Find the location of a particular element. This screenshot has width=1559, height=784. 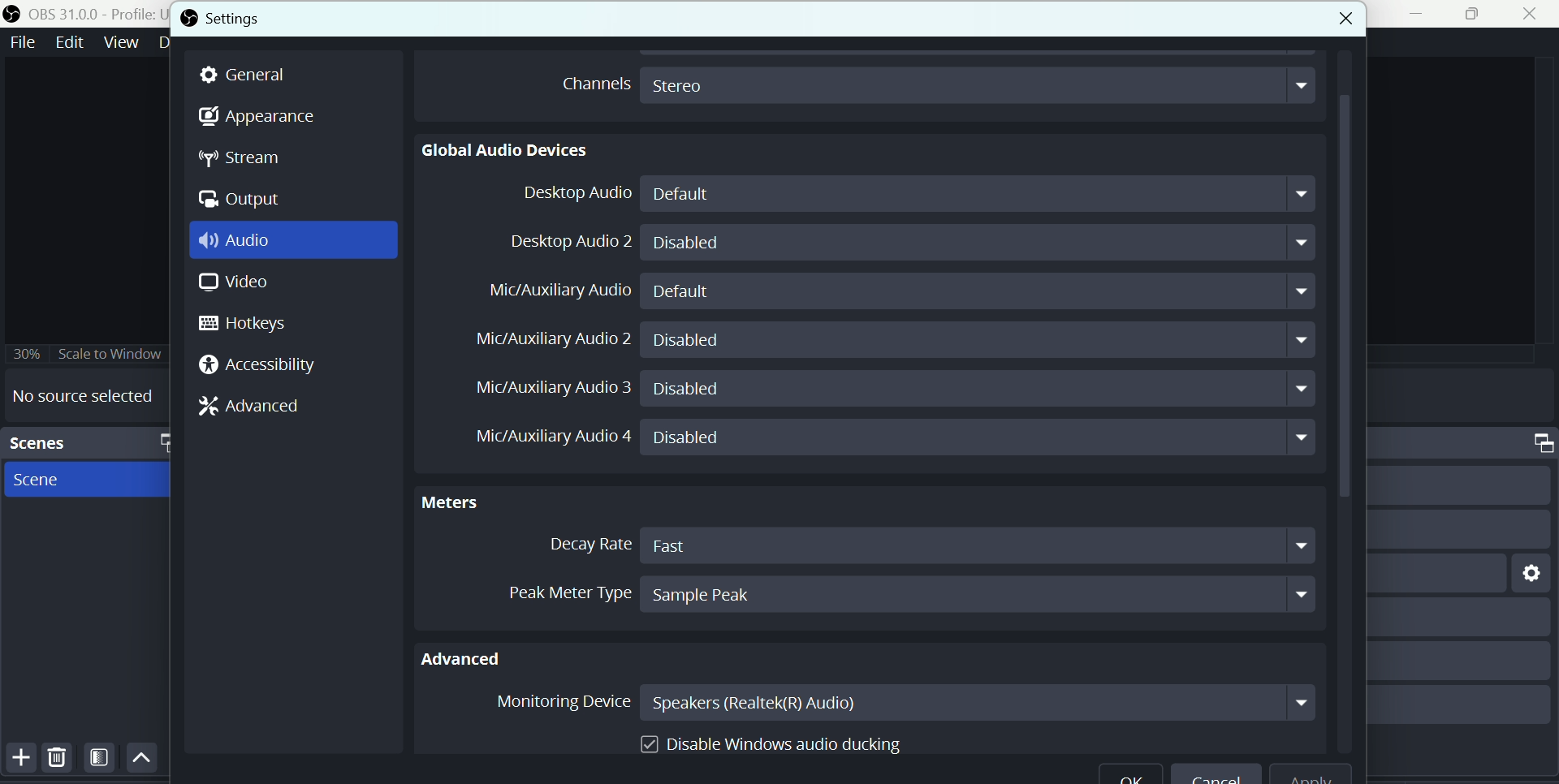

maximise is located at coordinates (1476, 15).